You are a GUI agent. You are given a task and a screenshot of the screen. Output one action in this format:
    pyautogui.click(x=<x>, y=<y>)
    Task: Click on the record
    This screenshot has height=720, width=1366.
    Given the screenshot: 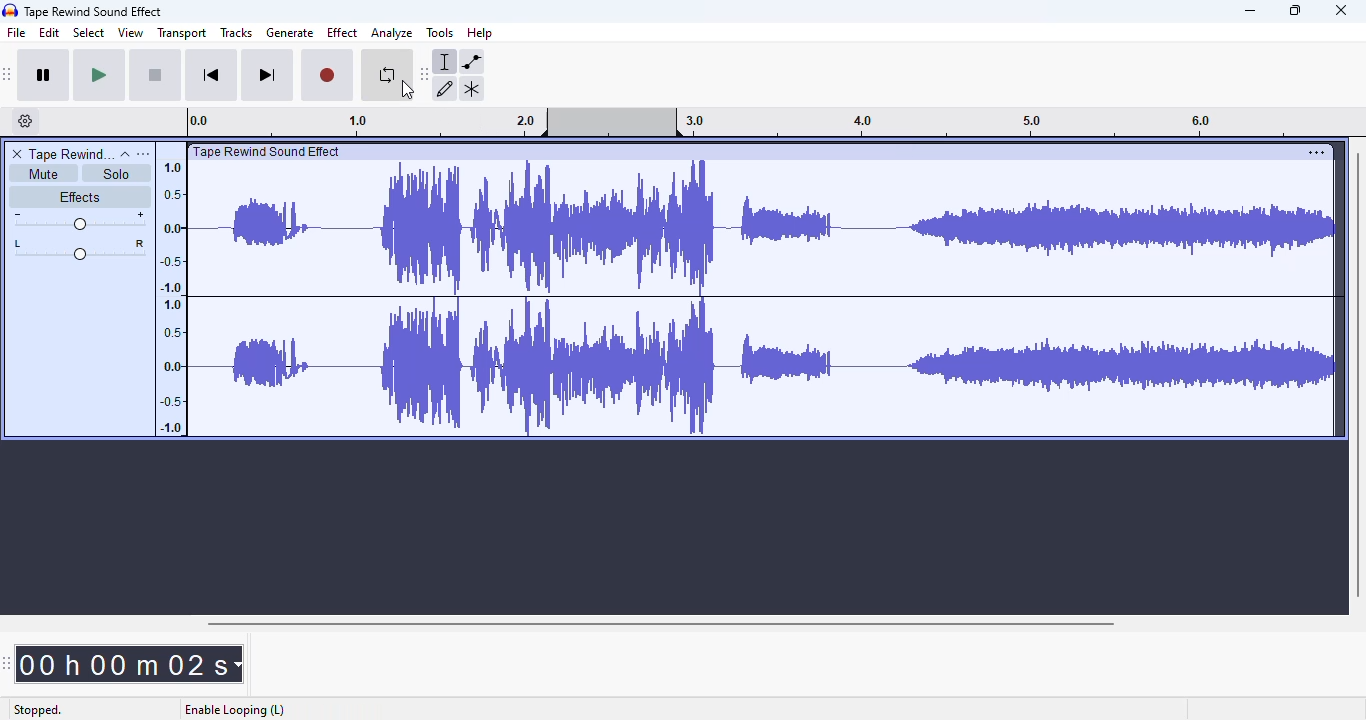 What is the action you would take?
    pyautogui.click(x=328, y=73)
    